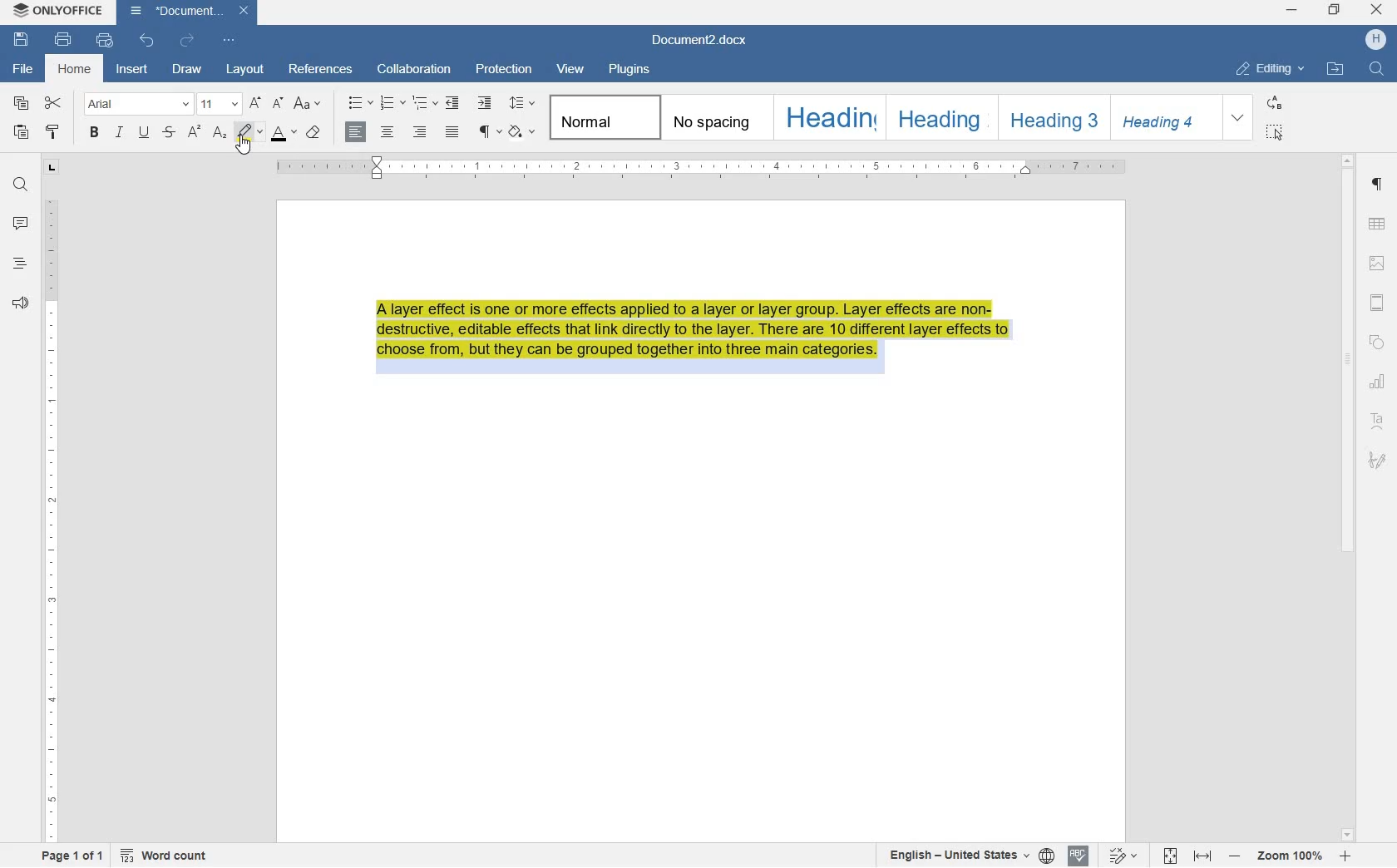 This screenshot has height=868, width=1397. Describe the element at coordinates (455, 104) in the screenshot. I see `DECREASE INDENT` at that location.